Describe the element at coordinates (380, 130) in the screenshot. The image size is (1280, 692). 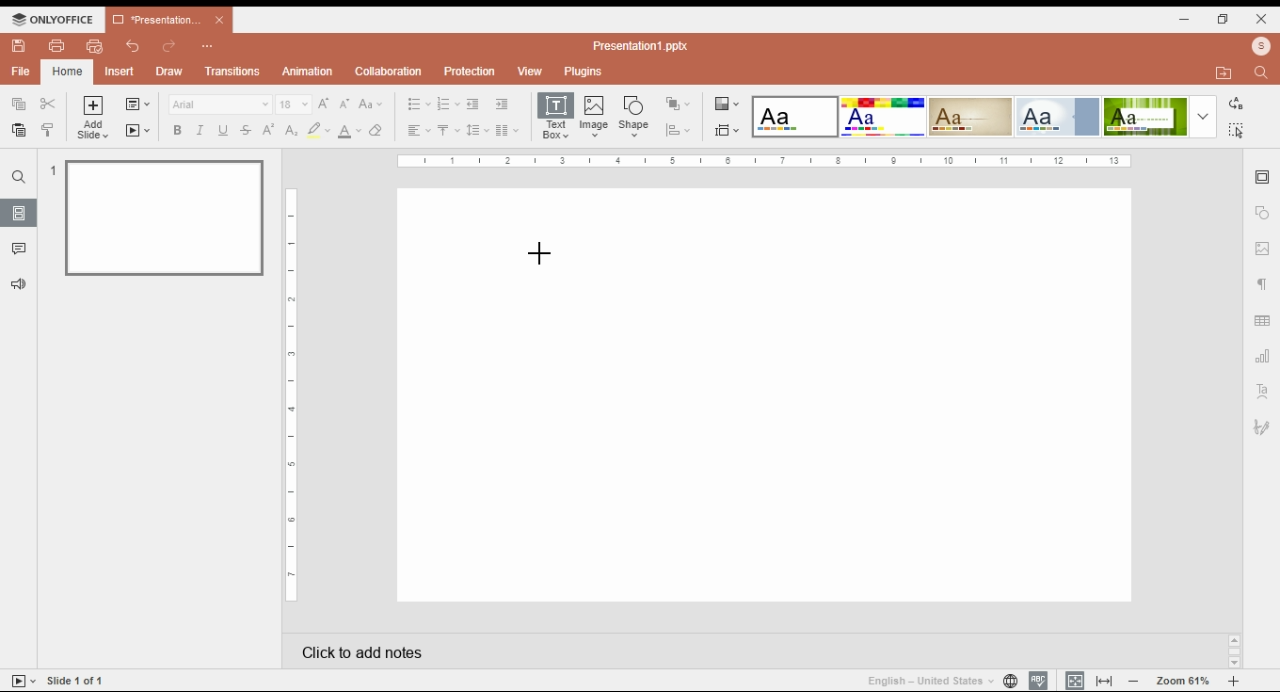
I see `clear` at that location.